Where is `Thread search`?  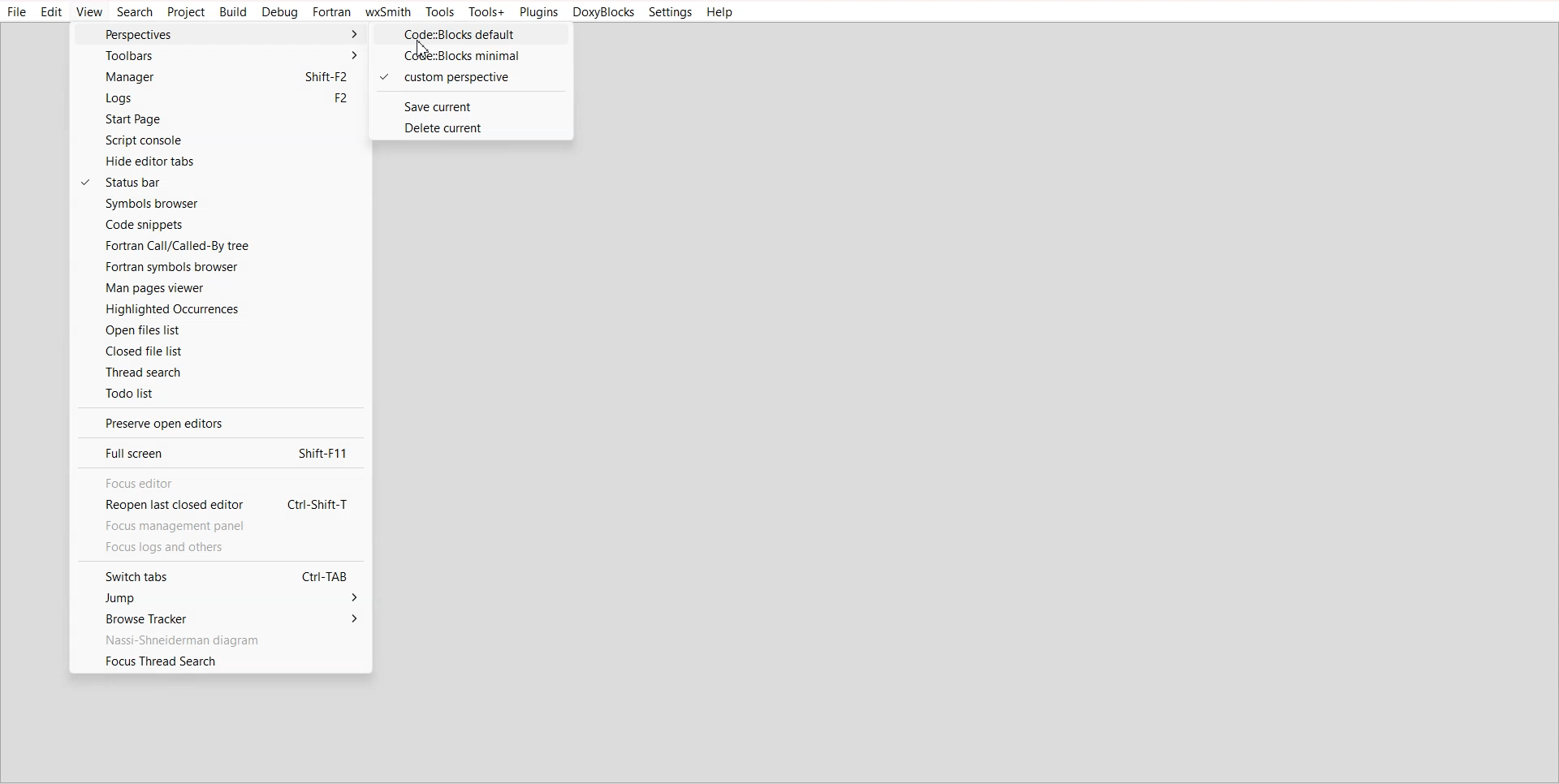 Thread search is located at coordinates (221, 371).